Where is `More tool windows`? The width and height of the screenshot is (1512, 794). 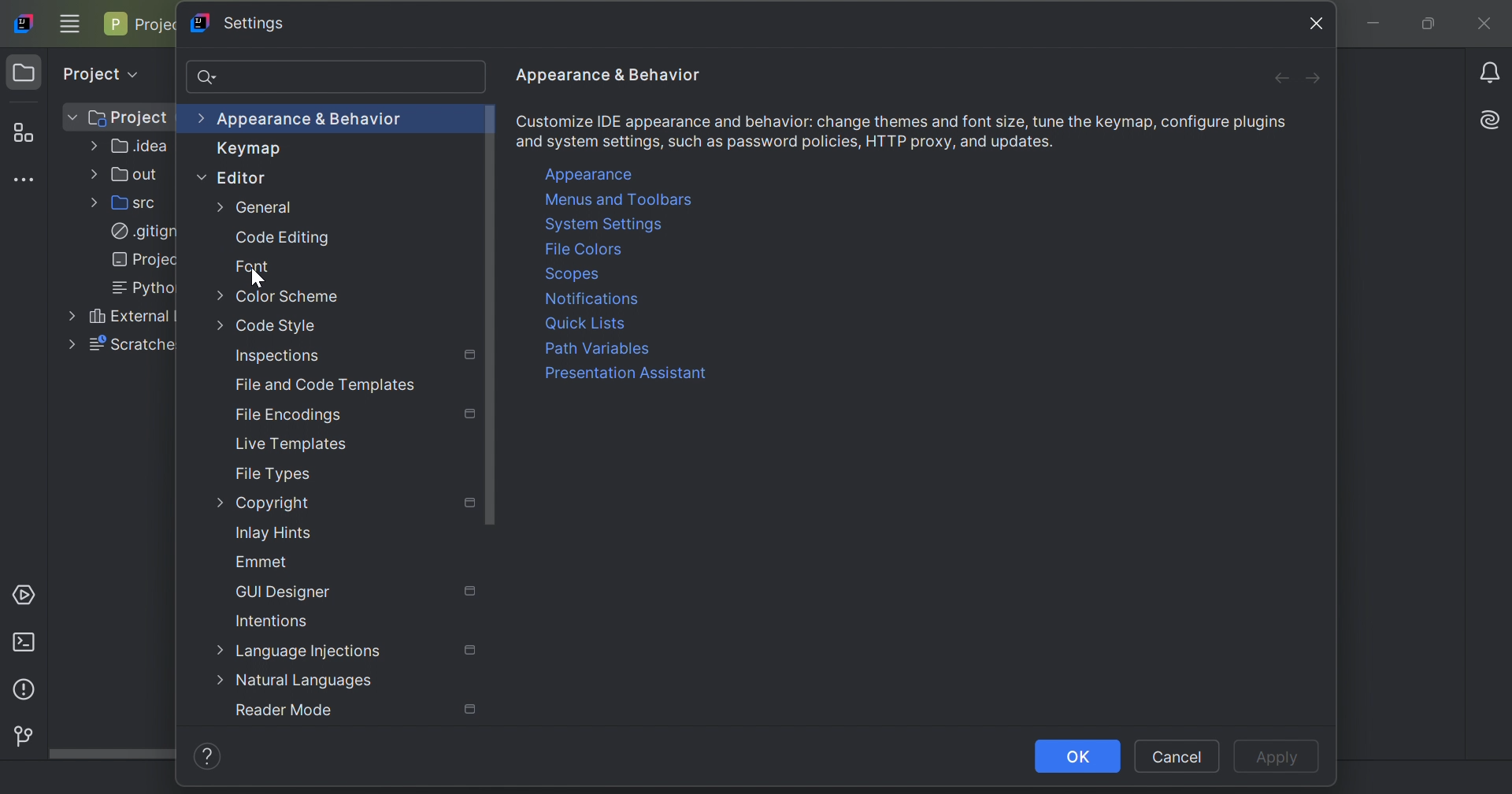 More tool windows is located at coordinates (28, 180).